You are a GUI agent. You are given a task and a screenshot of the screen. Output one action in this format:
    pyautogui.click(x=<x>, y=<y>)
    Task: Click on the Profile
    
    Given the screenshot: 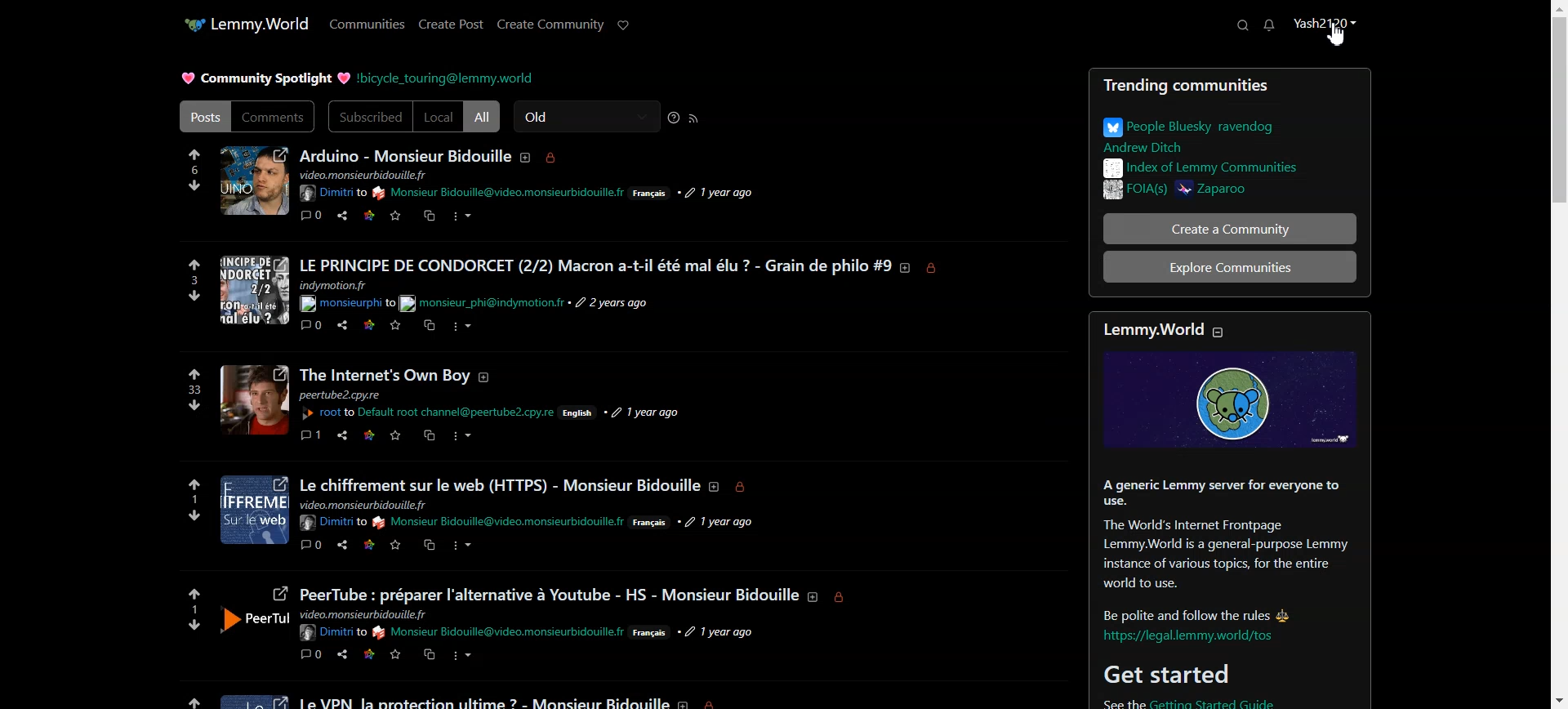 What is the action you would take?
    pyautogui.click(x=1324, y=31)
    